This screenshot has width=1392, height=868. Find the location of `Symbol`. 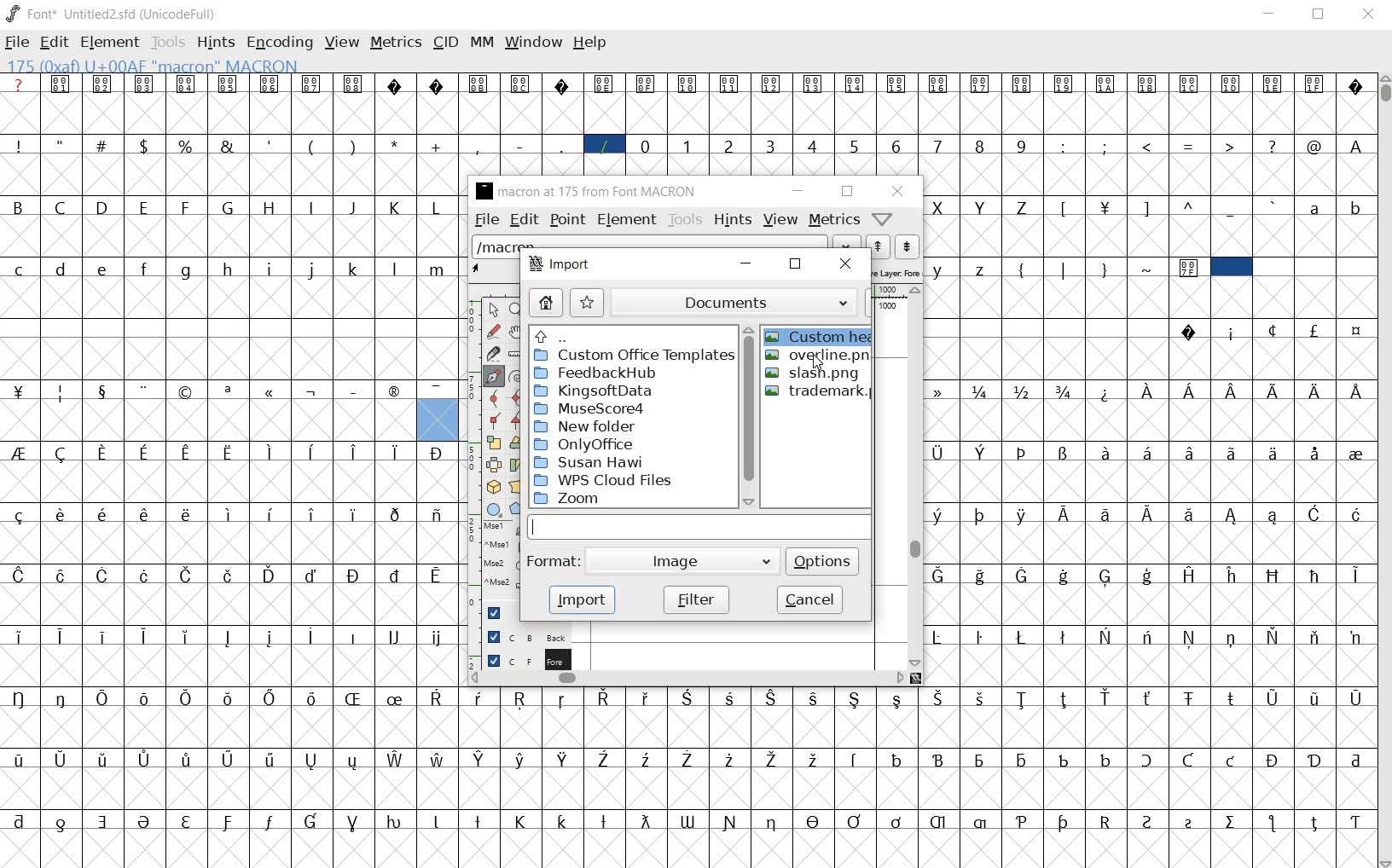

Symbol is located at coordinates (1147, 760).